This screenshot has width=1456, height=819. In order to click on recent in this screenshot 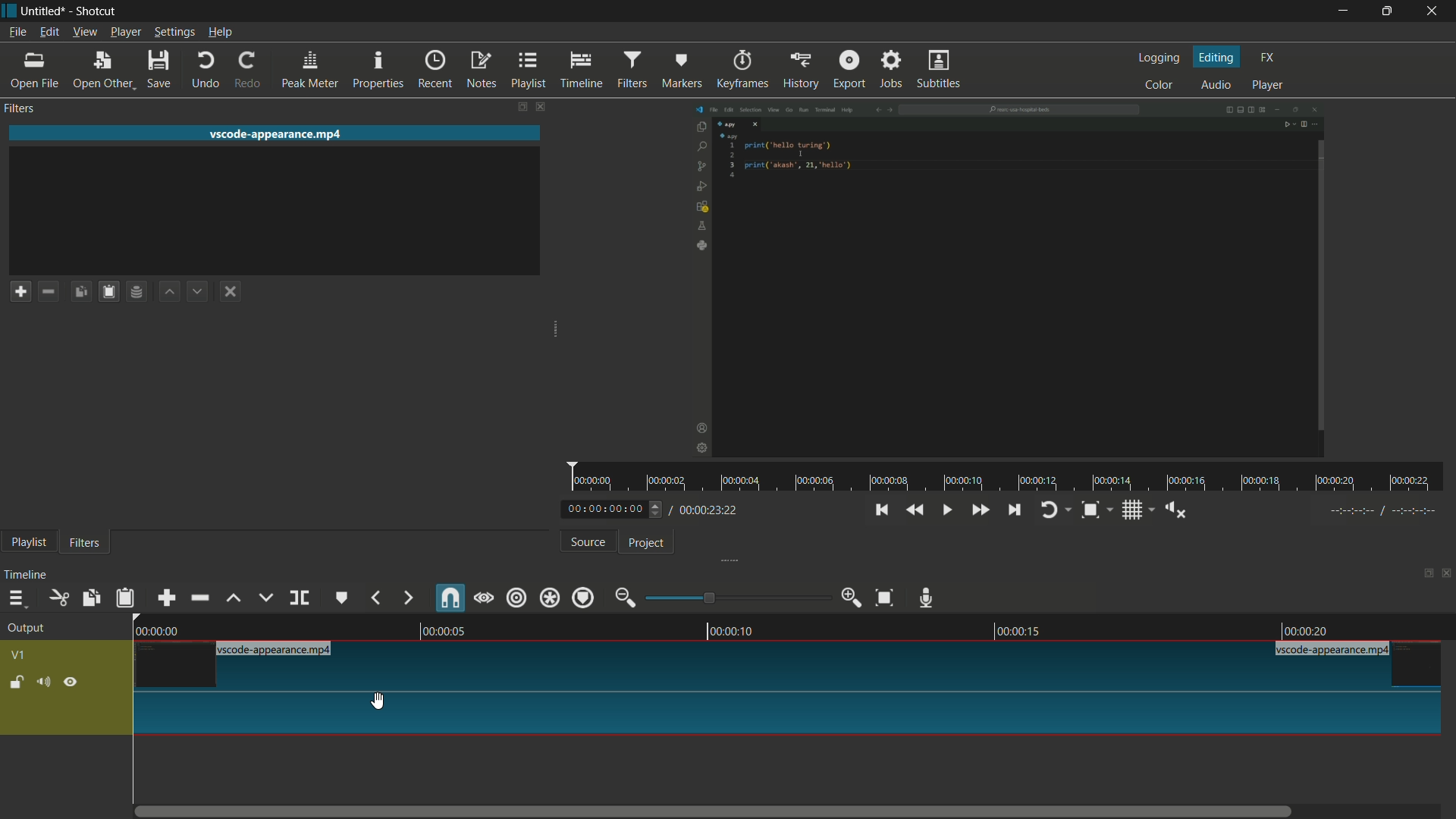, I will do `click(436, 70)`.